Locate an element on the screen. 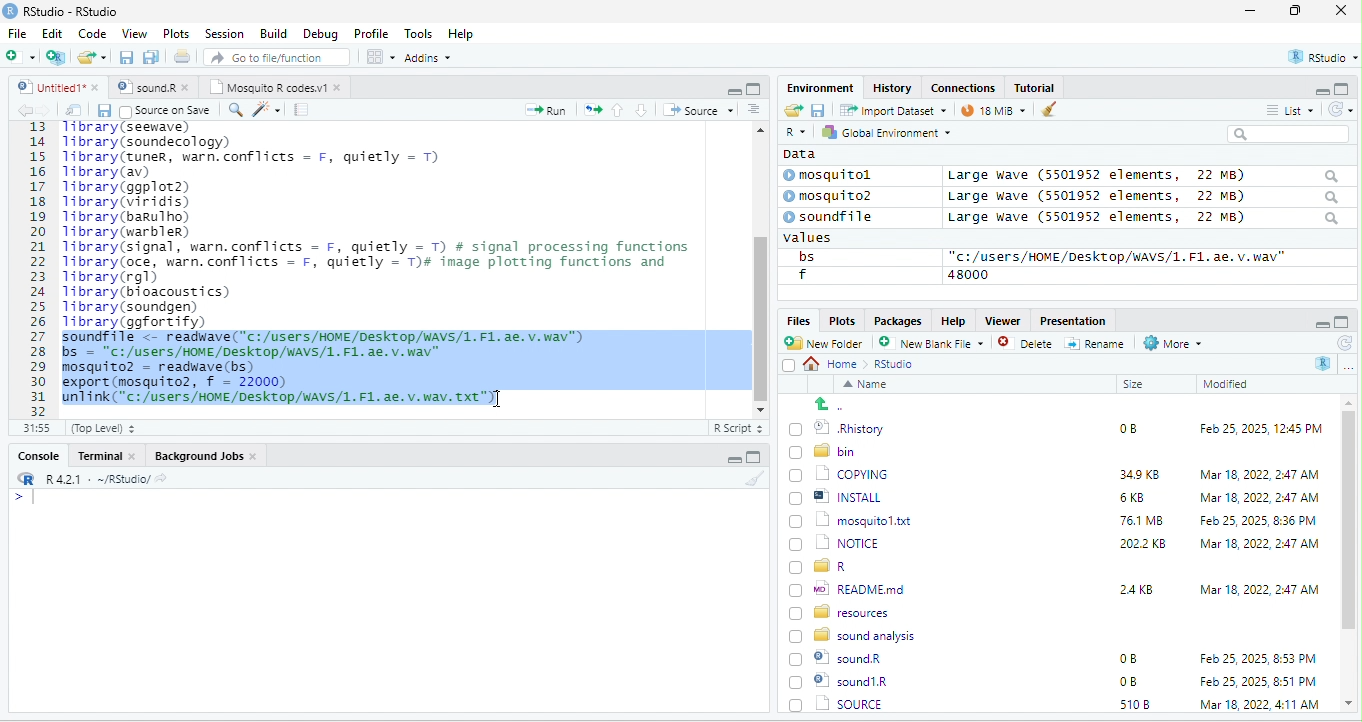  ‘| COPYING is located at coordinates (839, 473).